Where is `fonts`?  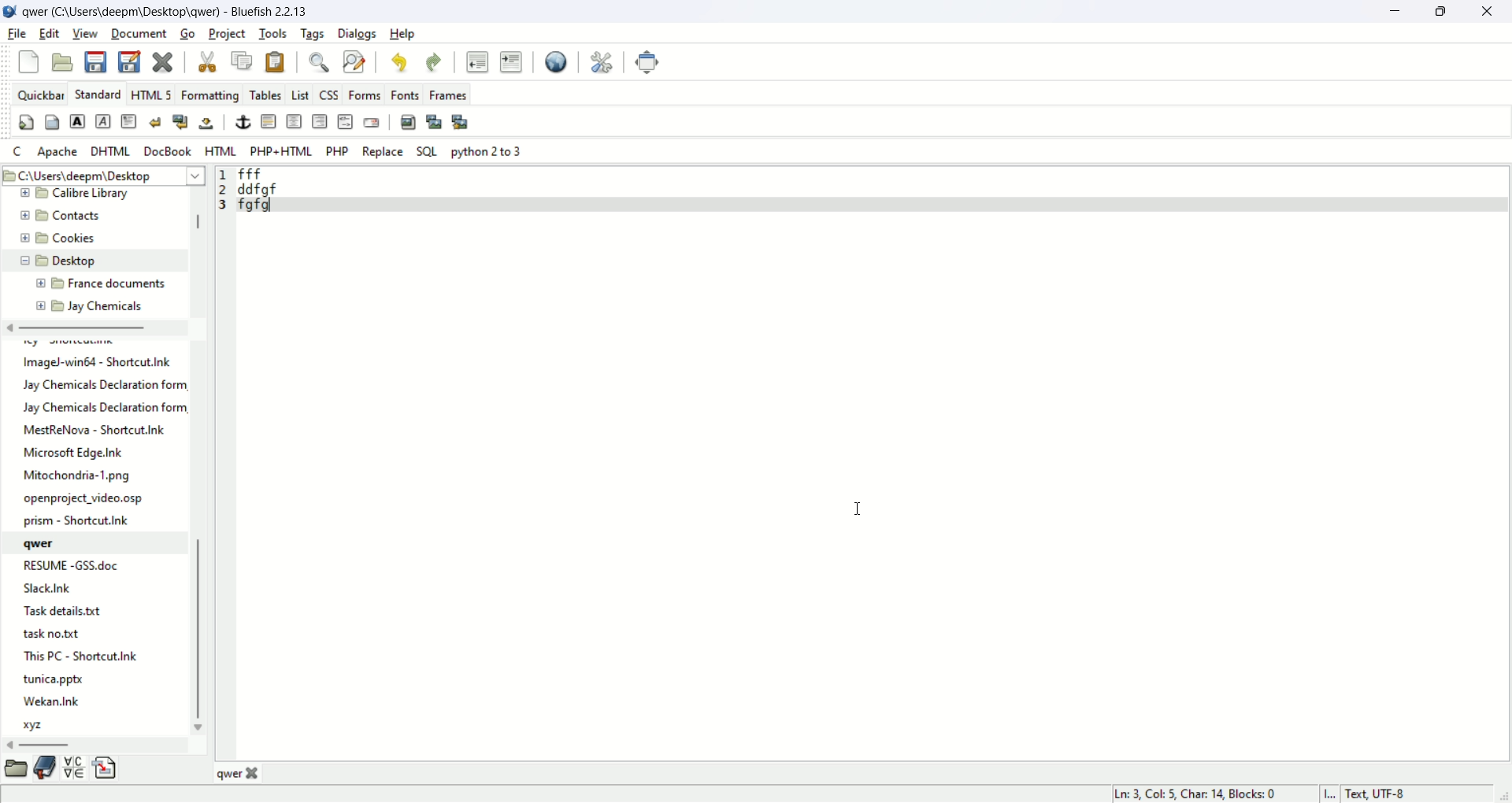
fonts is located at coordinates (405, 96).